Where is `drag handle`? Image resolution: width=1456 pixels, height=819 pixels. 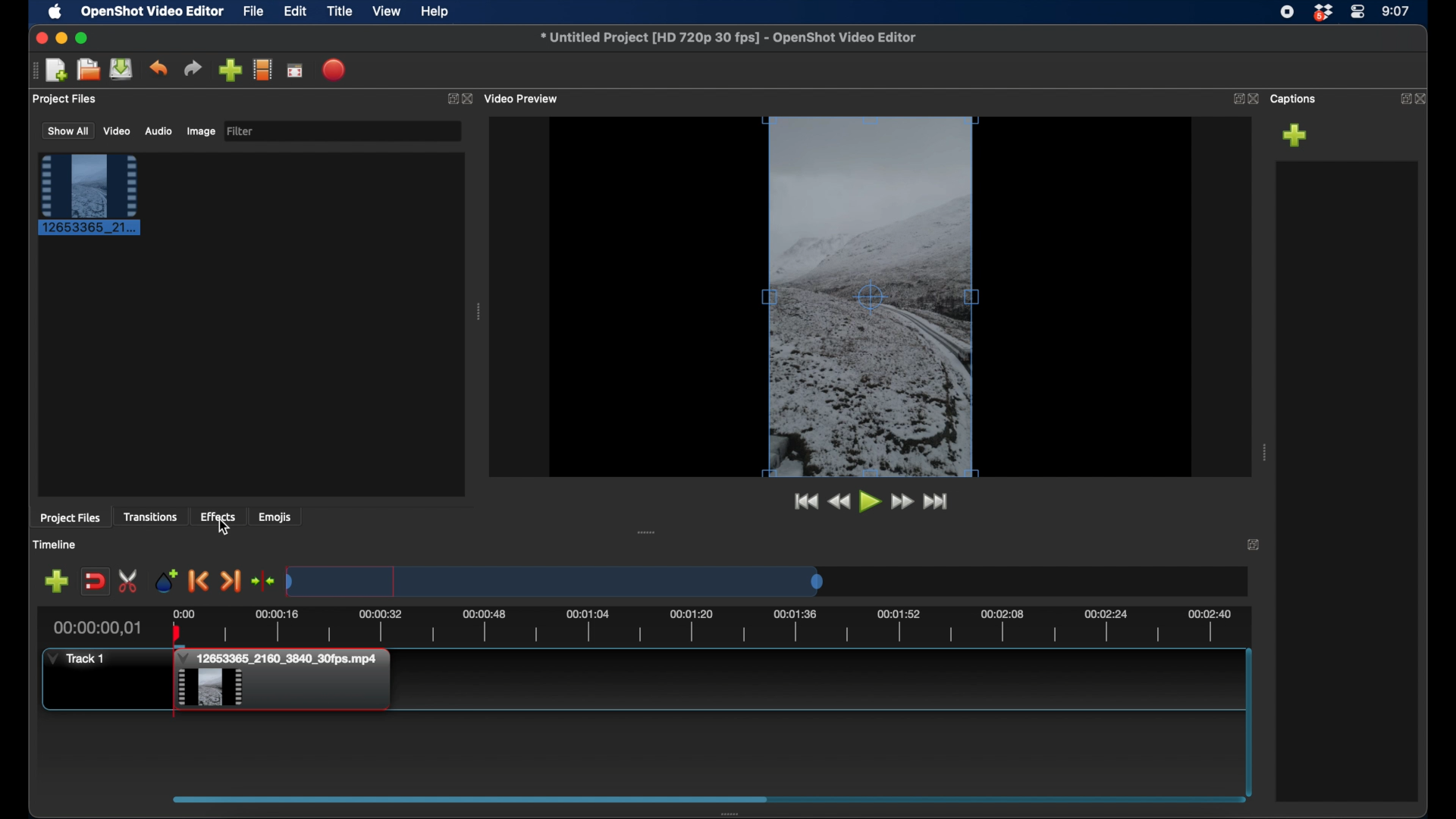
drag handle is located at coordinates (646, 531).